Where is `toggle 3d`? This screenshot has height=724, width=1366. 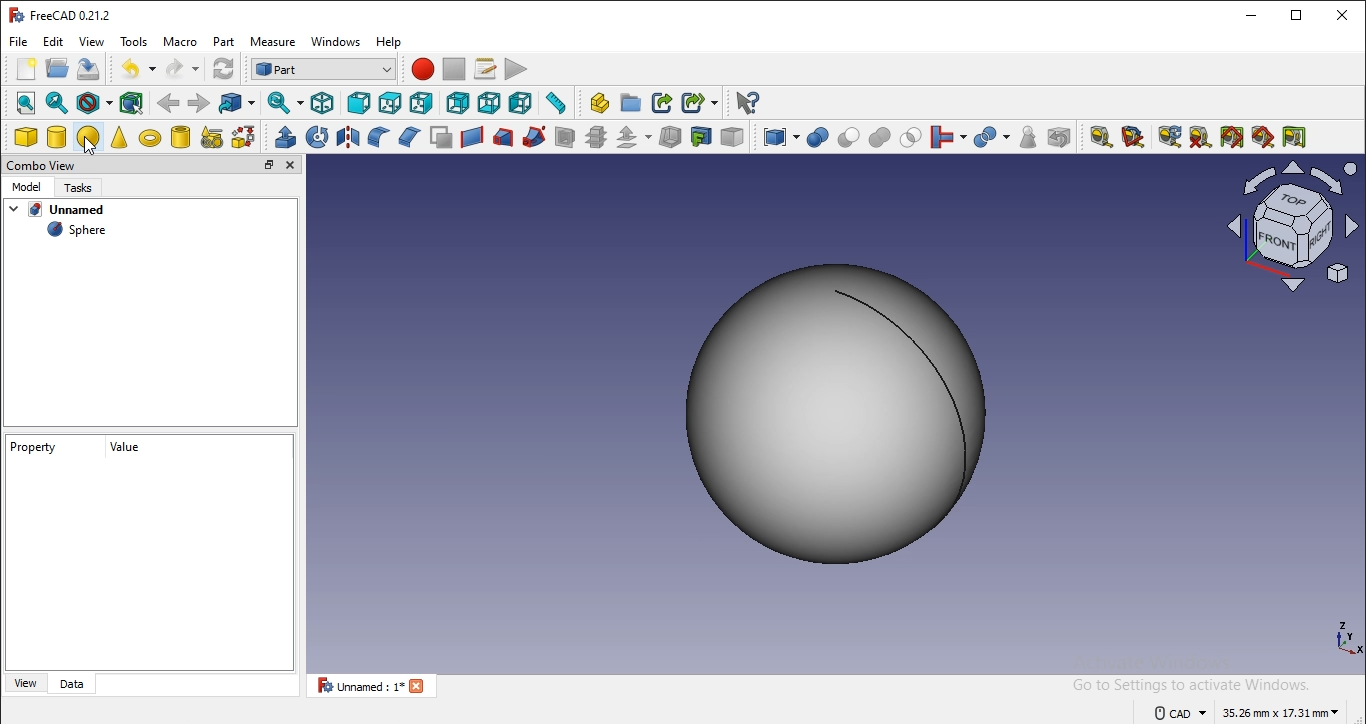
toggle 3d is located at coordinates (1264, 137).